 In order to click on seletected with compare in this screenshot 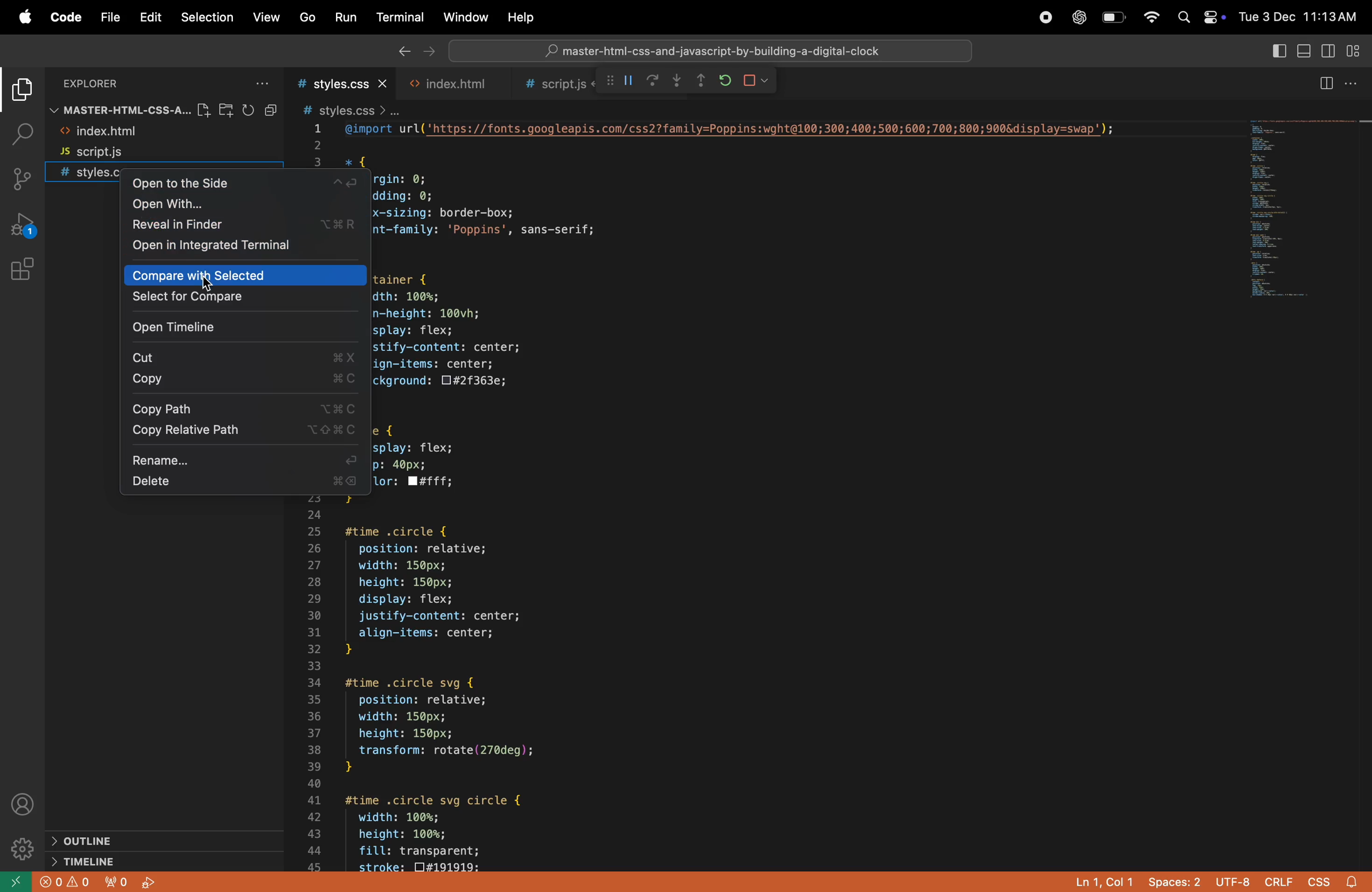, I will do `click(242, 300)`.